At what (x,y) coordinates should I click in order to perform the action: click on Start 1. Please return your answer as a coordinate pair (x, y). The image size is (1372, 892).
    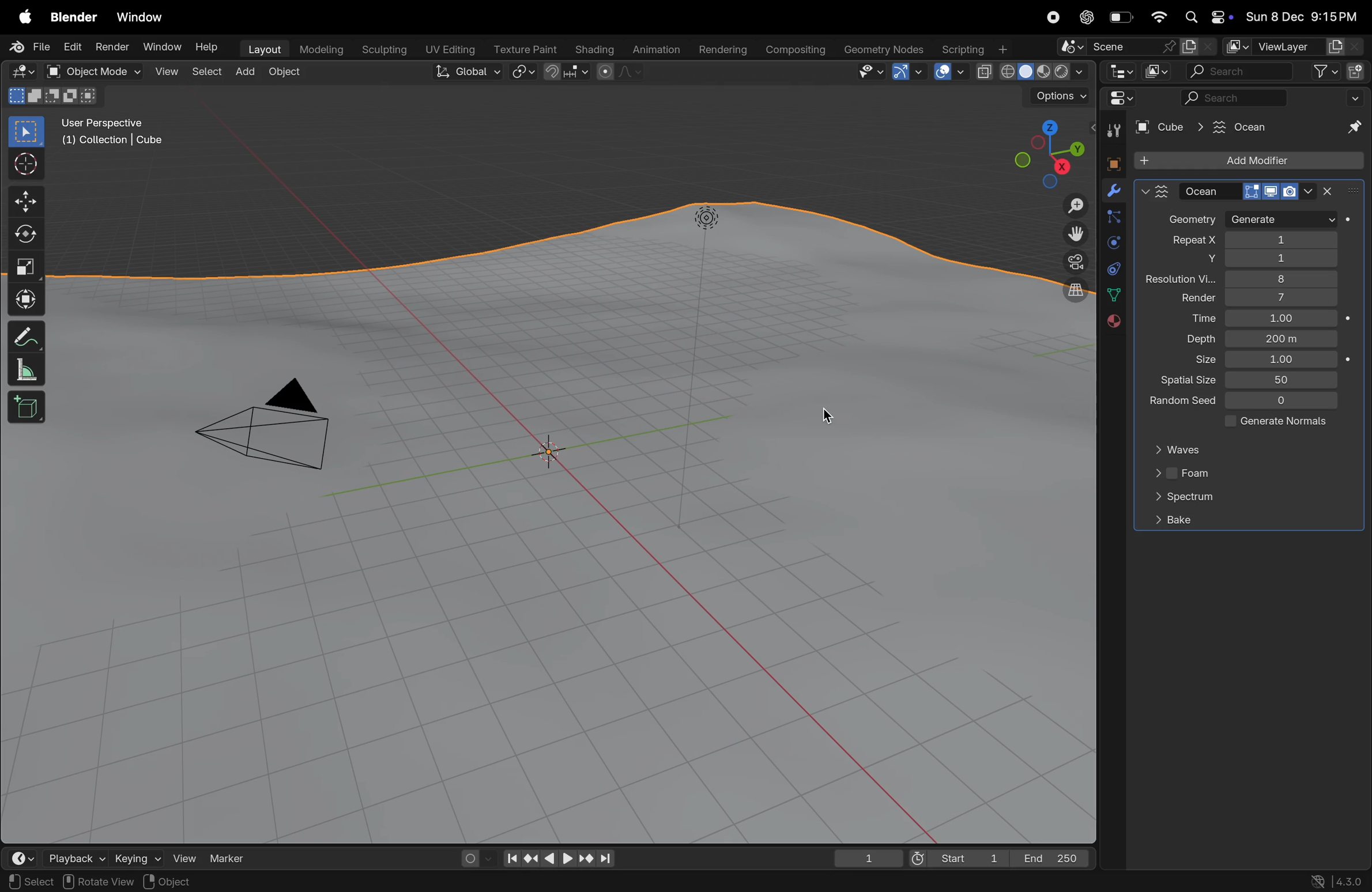
    Looking at the image, I should click on (956, 857).